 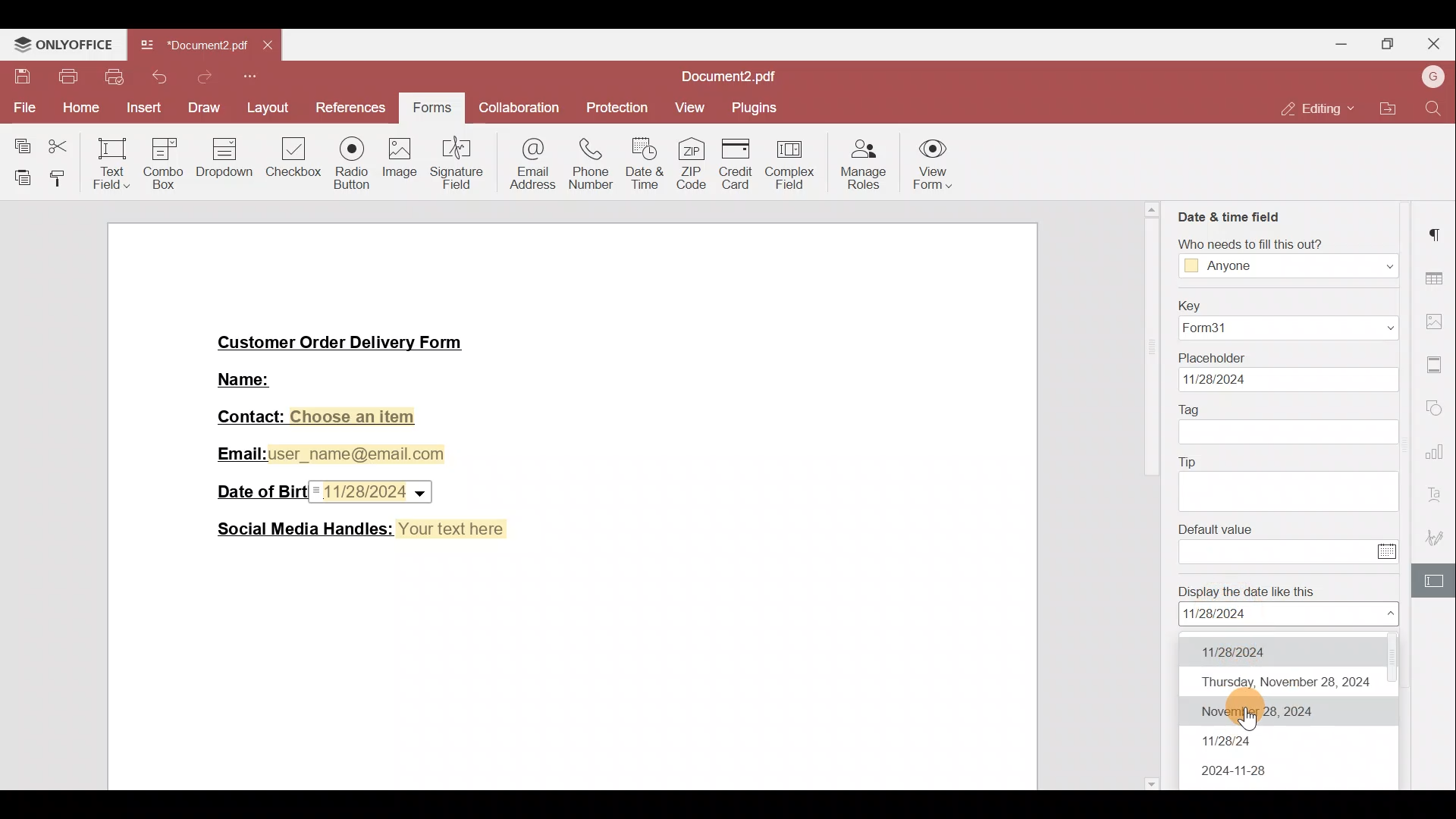 What do you see at coordinates (1217, 529) in the screenshot?
I see `Default value` at bounding box center [1217, 529].